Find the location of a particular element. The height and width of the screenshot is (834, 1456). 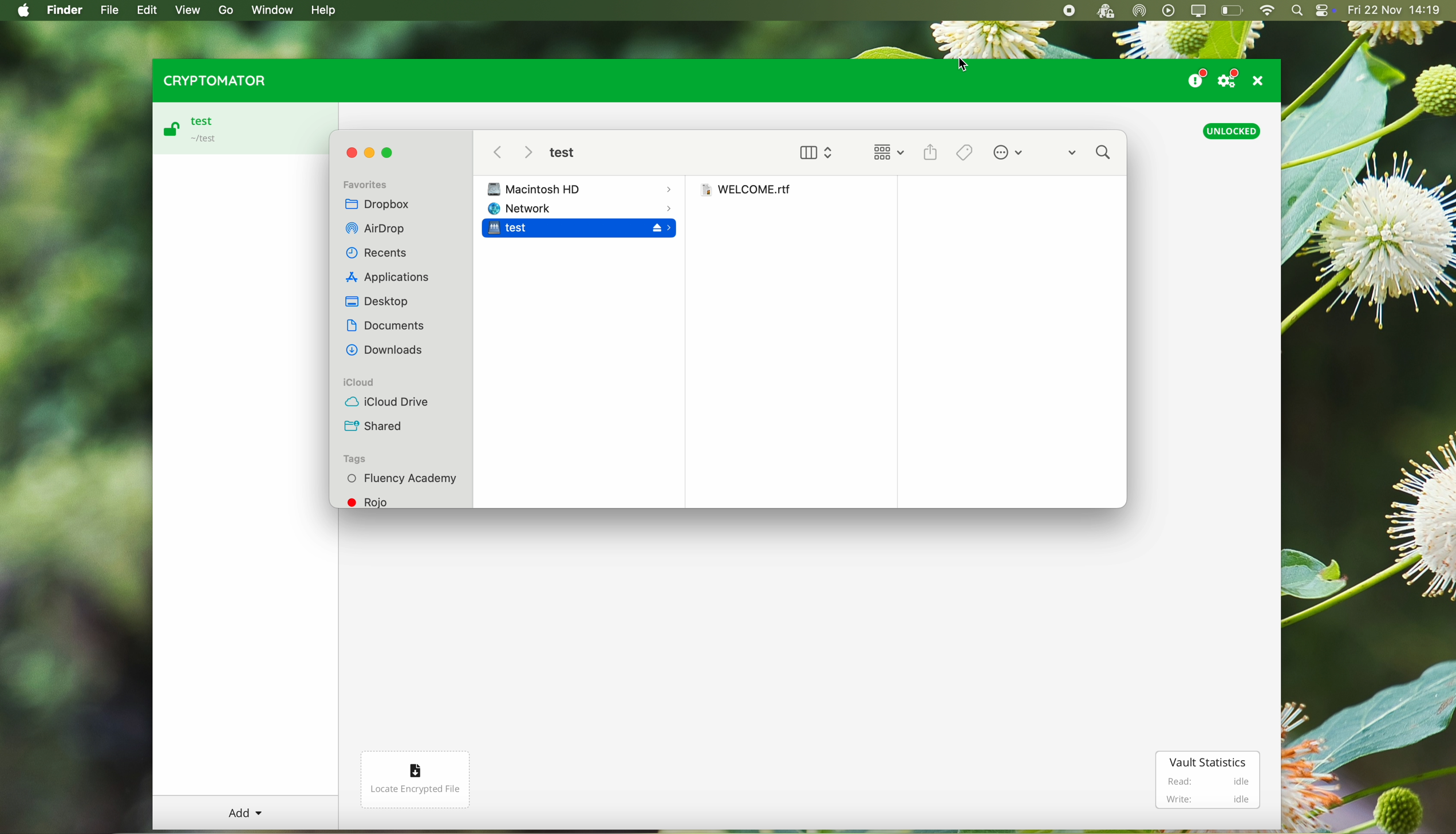

maximize is located at coordinates (392, 154).